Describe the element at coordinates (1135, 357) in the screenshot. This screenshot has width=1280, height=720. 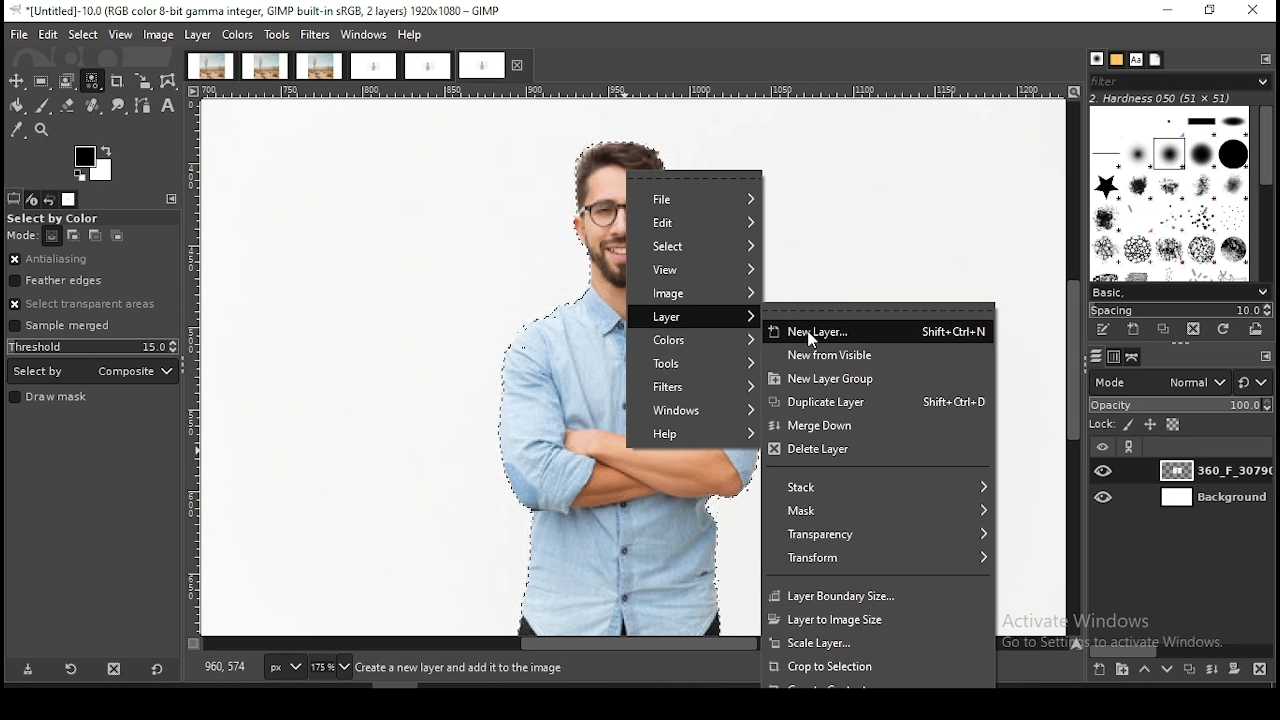
I see `paths` at that location.